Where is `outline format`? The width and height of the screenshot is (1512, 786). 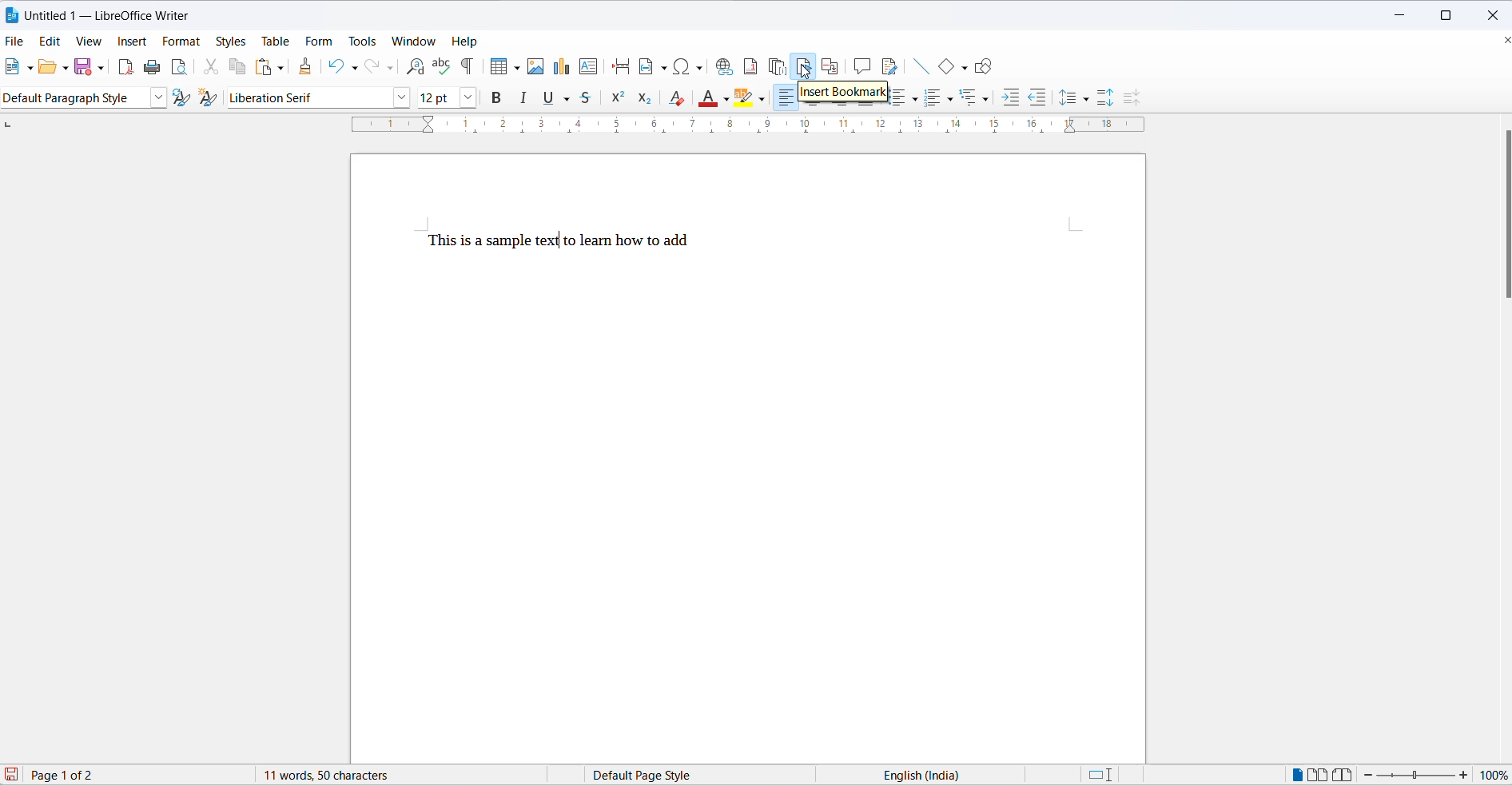
outline format is located at coordinates (971, 97).